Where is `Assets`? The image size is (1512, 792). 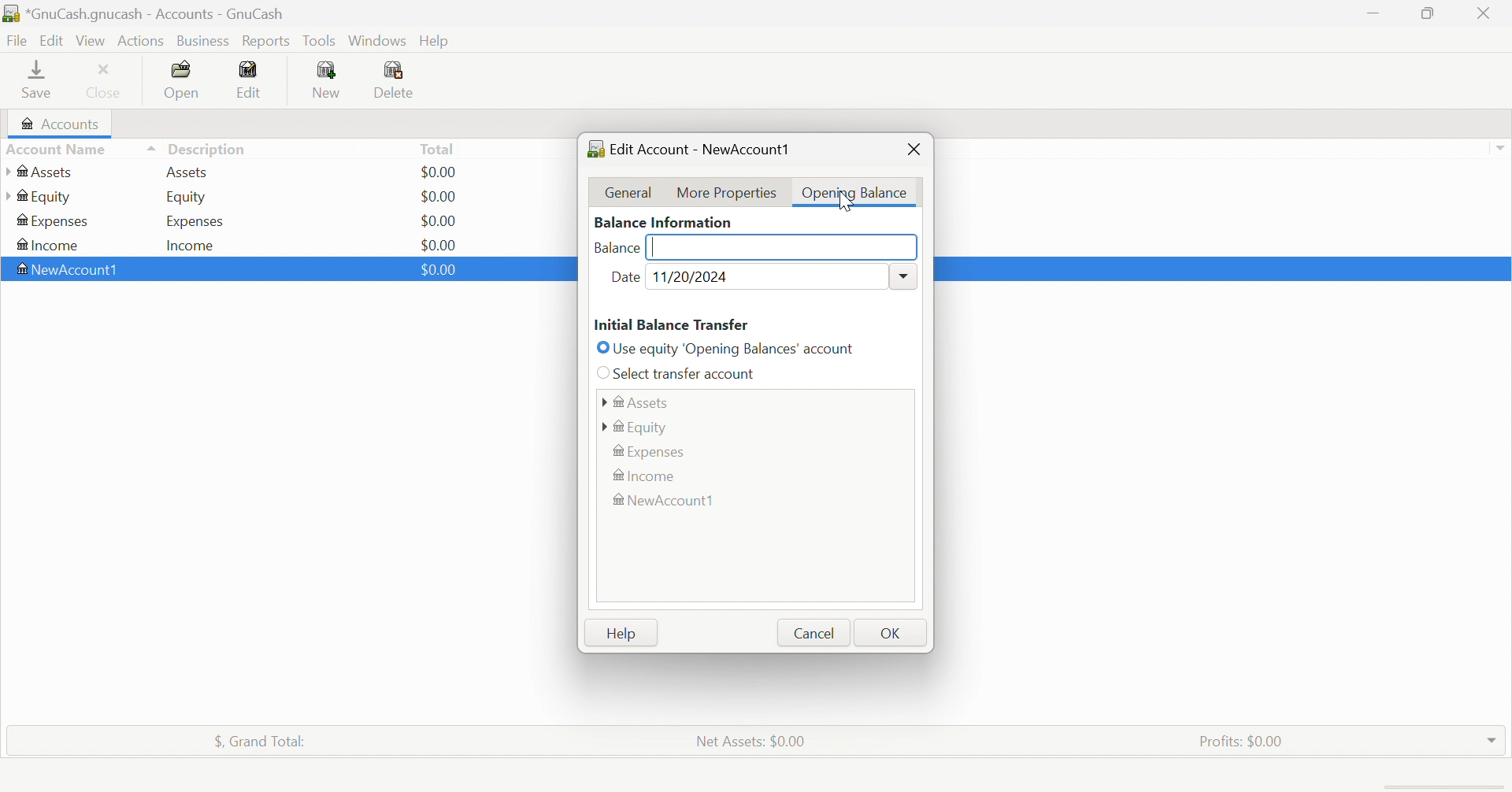
Assets is located at coordinates (636, 400).